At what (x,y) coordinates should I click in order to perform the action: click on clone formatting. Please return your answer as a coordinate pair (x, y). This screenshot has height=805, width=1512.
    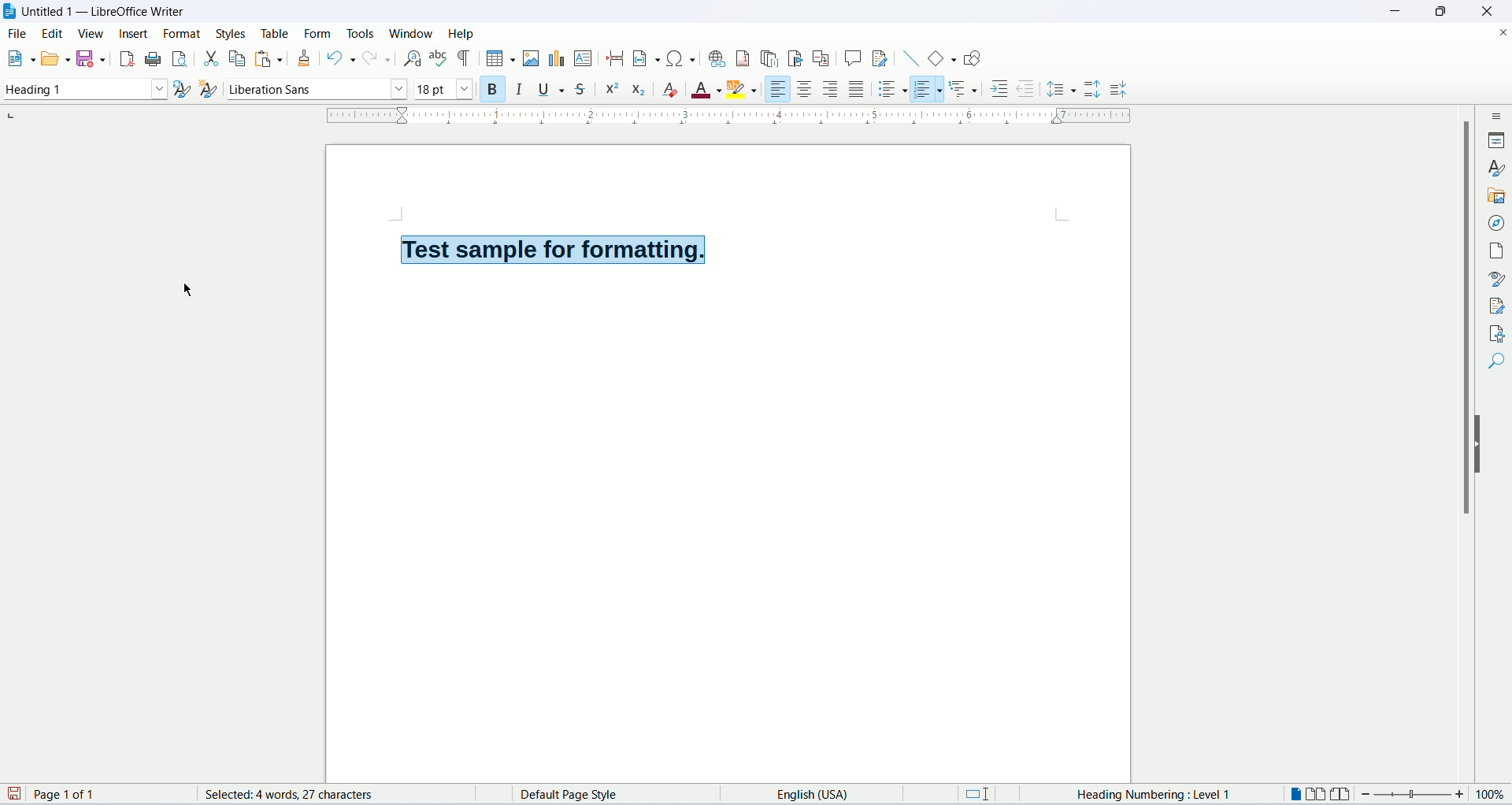
    Looking at the image, I should click on (305, 57).